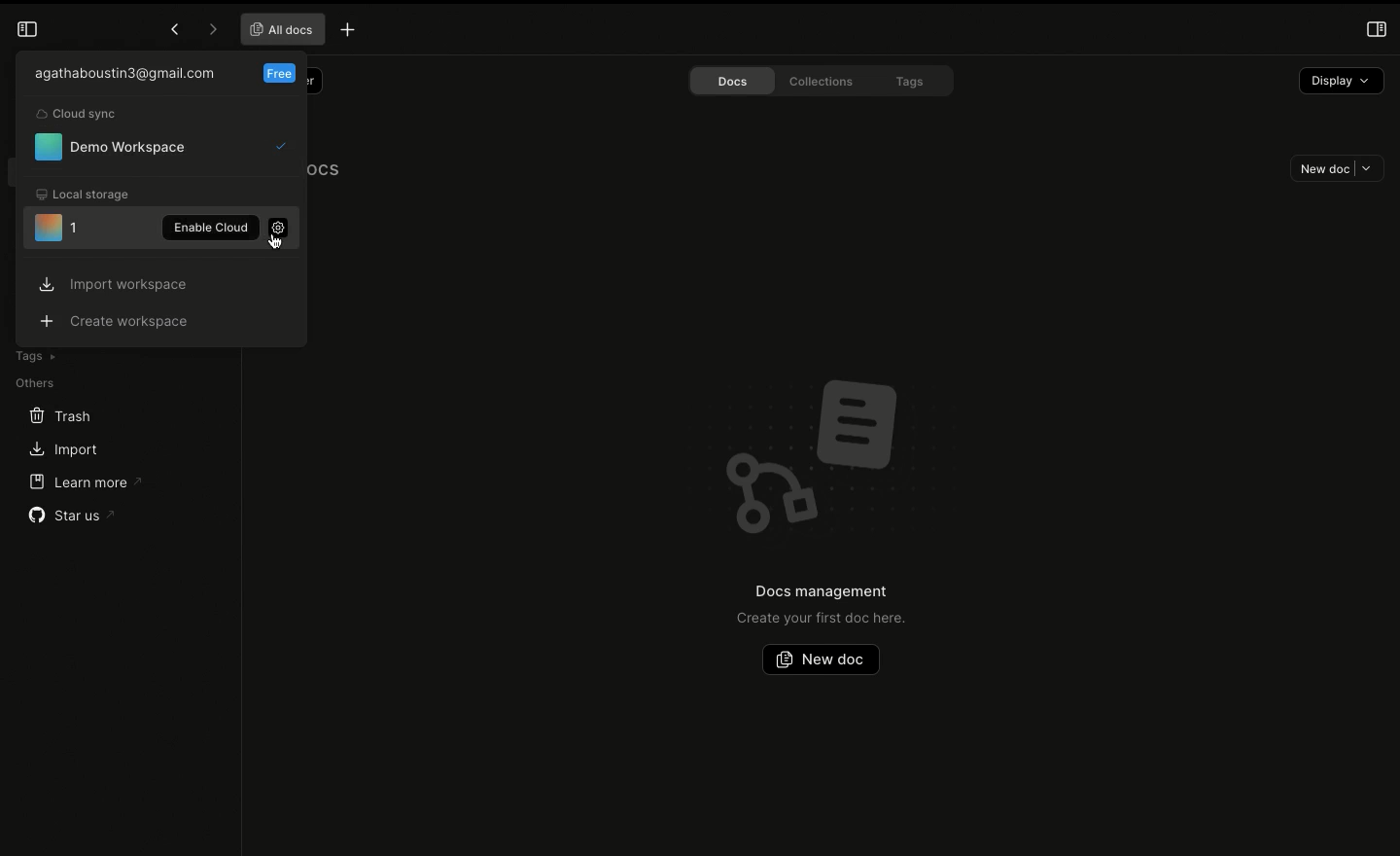  What do you see at coordinates (27, 29) in the screenshot?
I see `Collapse sidebar` at bounding box center [27, 29].